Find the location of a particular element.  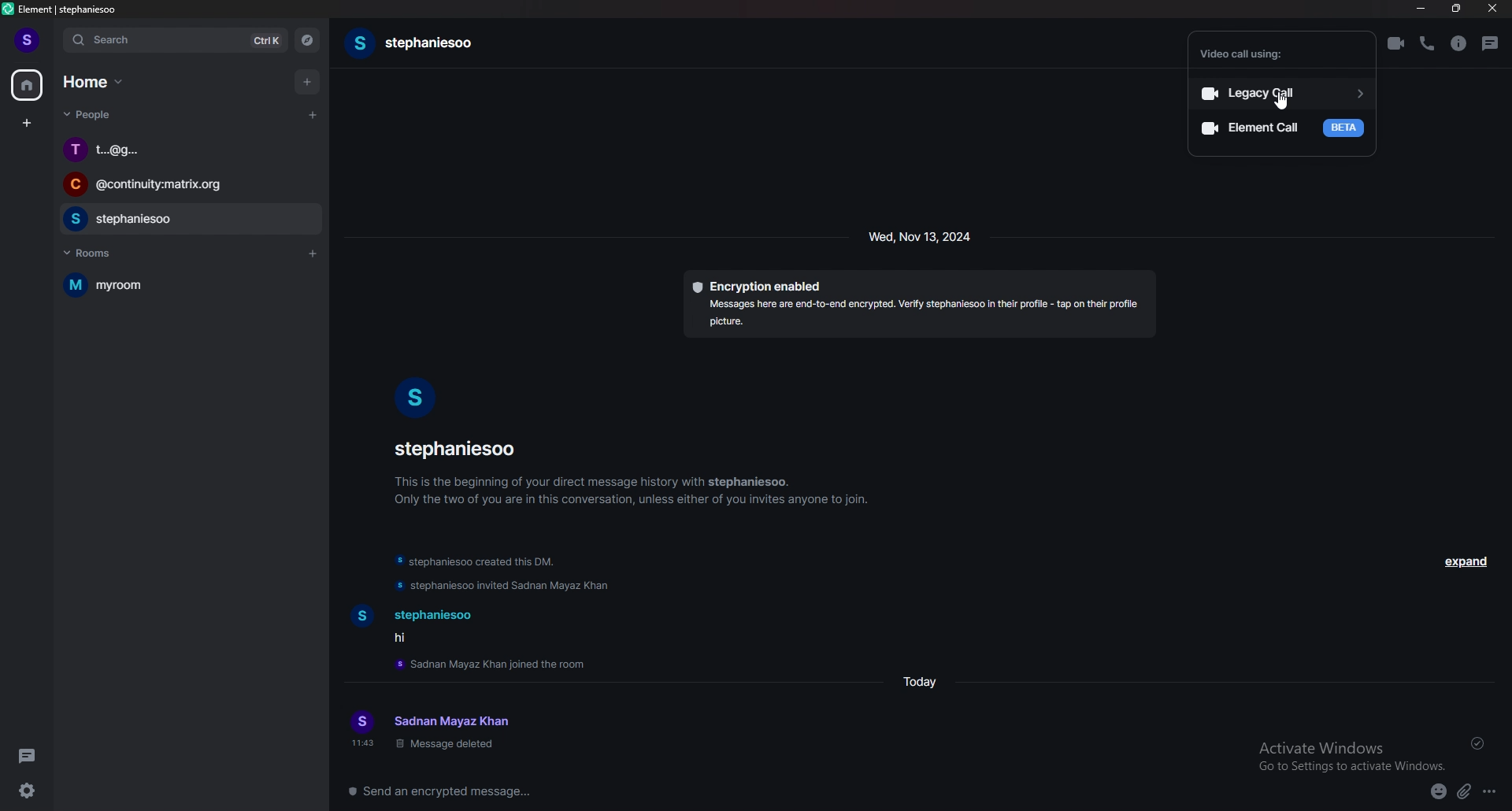

threads is located at coordinates (1492, 45).